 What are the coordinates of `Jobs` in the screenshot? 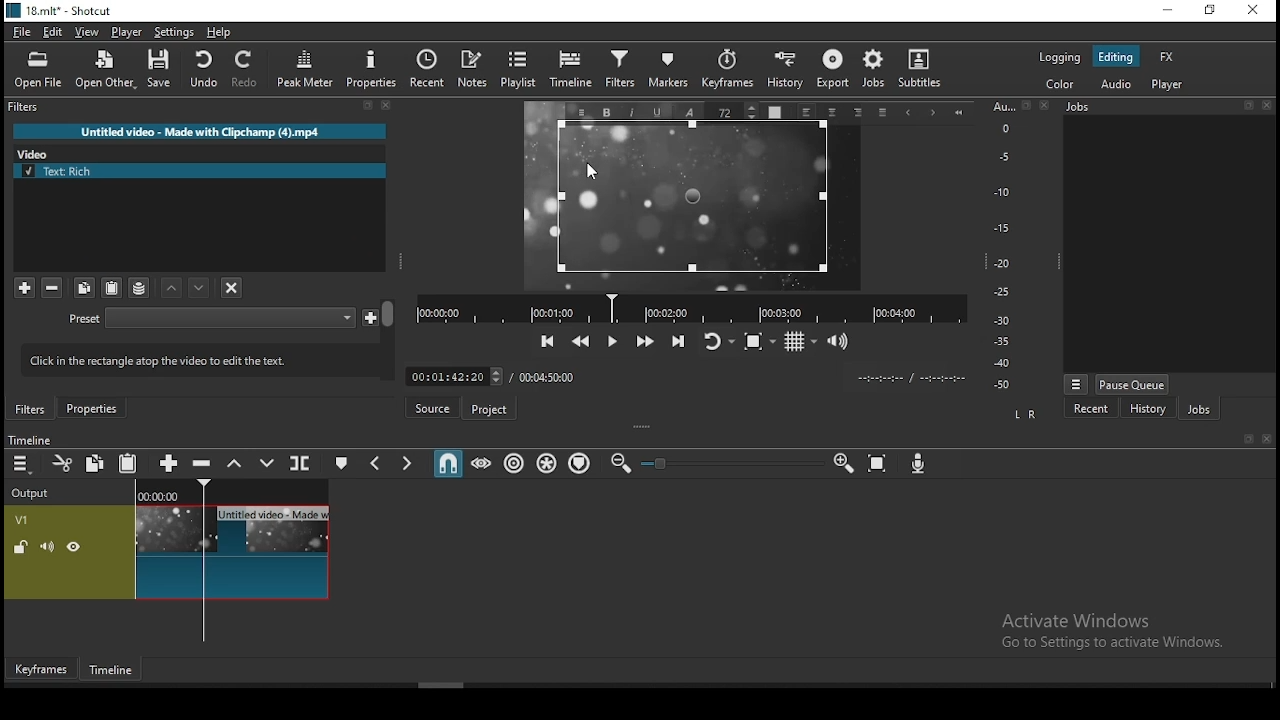 It's located at (1078, 107).